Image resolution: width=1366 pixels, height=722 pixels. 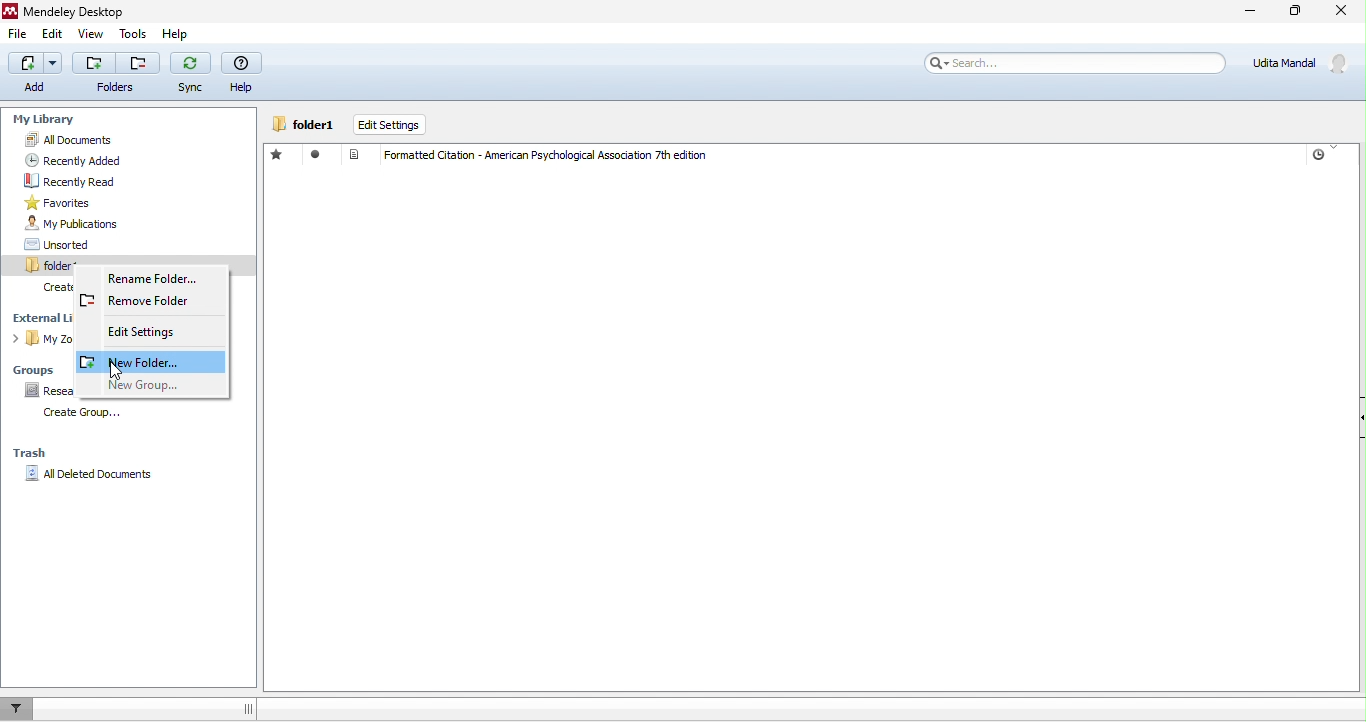 What do you see at coordinates (190, 71) in the screenshot?
I see `sync` at bounding box center [190, 71].